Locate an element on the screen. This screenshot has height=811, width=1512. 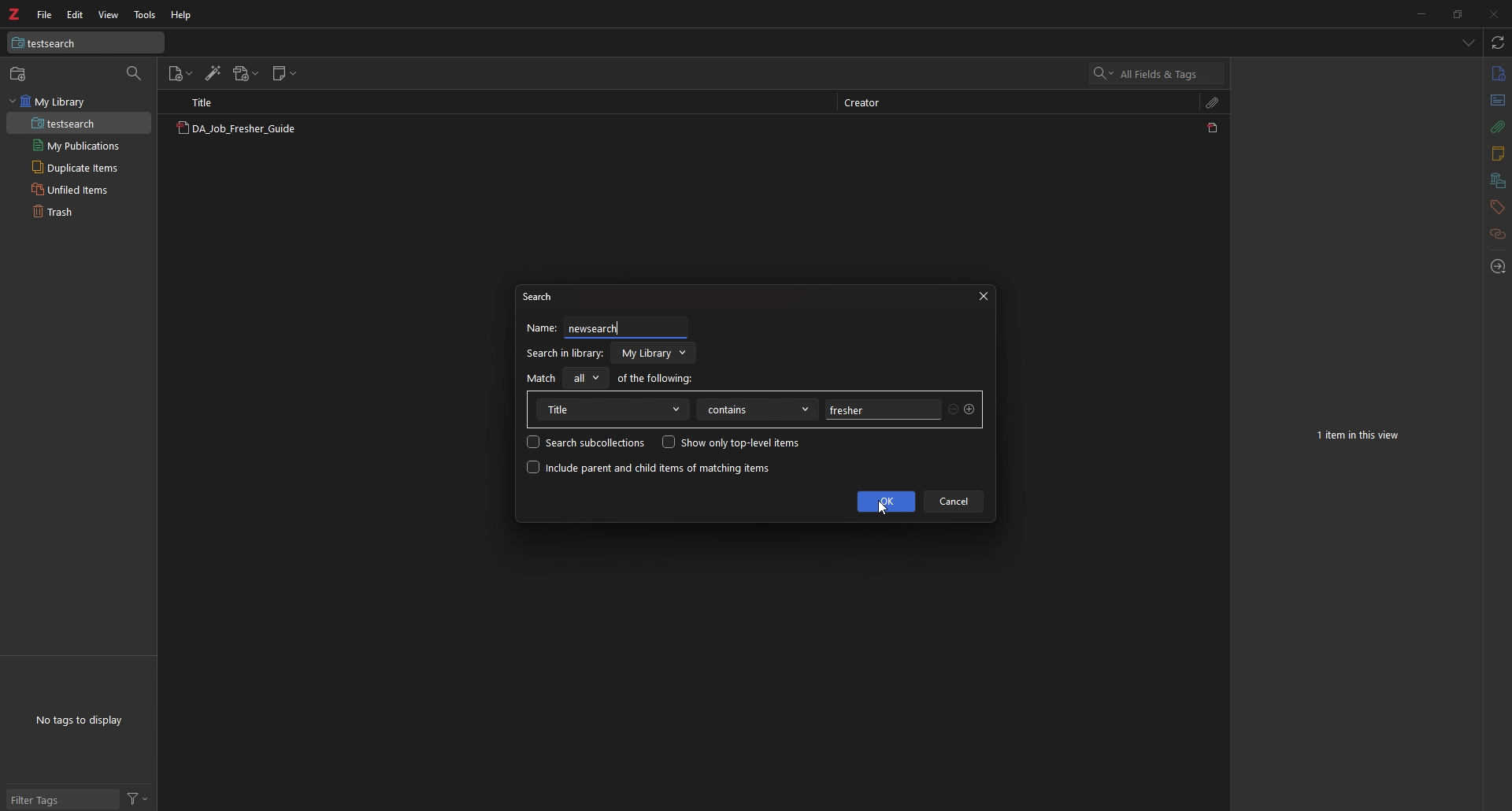
sync with zotero.org is located at coordinates (1499, 42).